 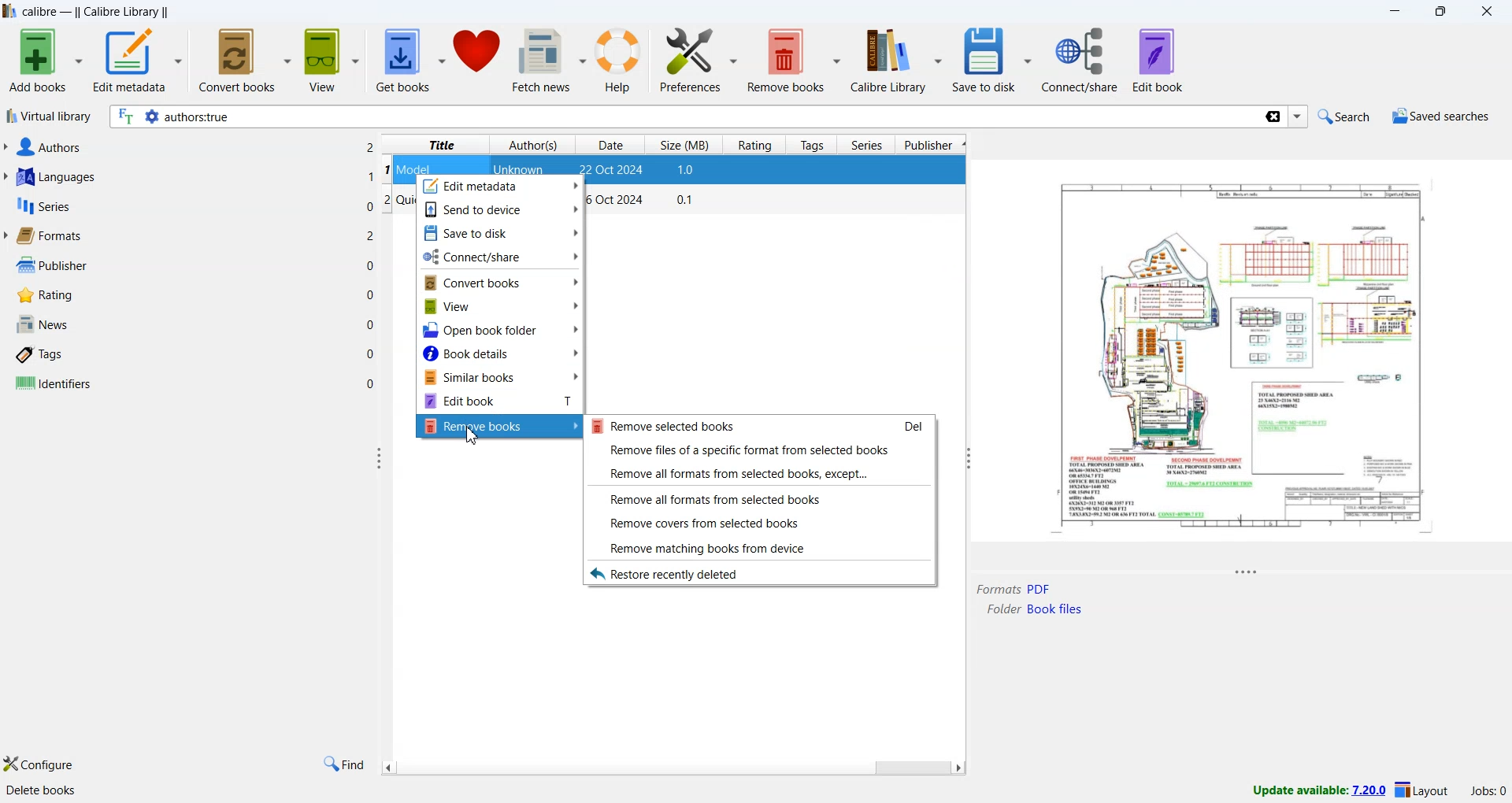 What do you see at coordinates (535, 145) in the screenshot?
I see `authors` at bounding box center [535, 145].